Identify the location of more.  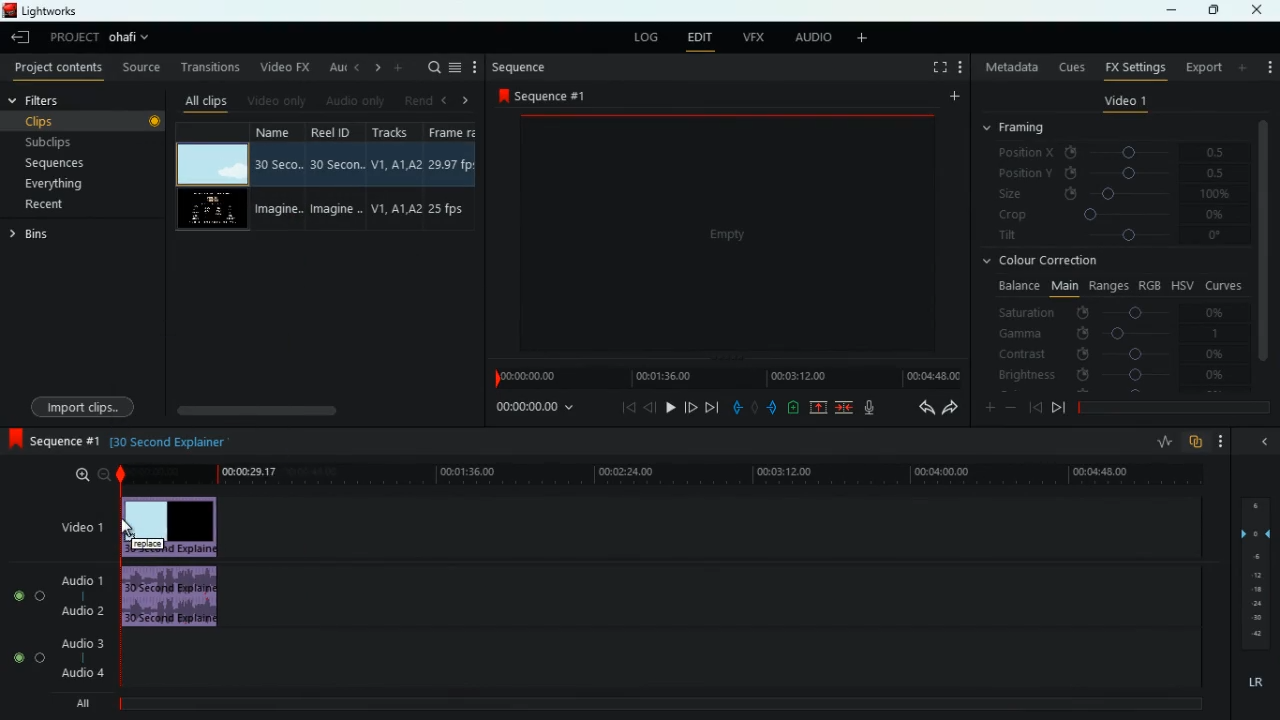
(477, 66).